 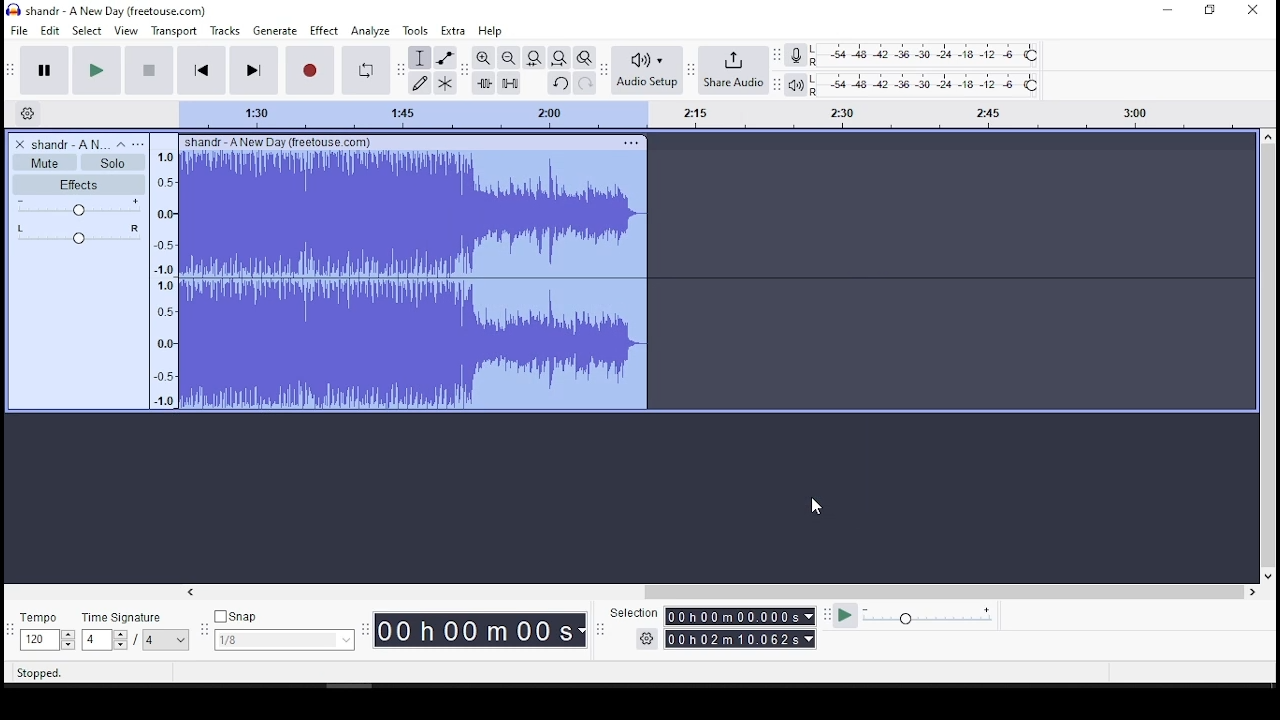 What do you see at coordinates (28, 114) in the screenshot?
I see `Settings` at bounding box center [28, 114].